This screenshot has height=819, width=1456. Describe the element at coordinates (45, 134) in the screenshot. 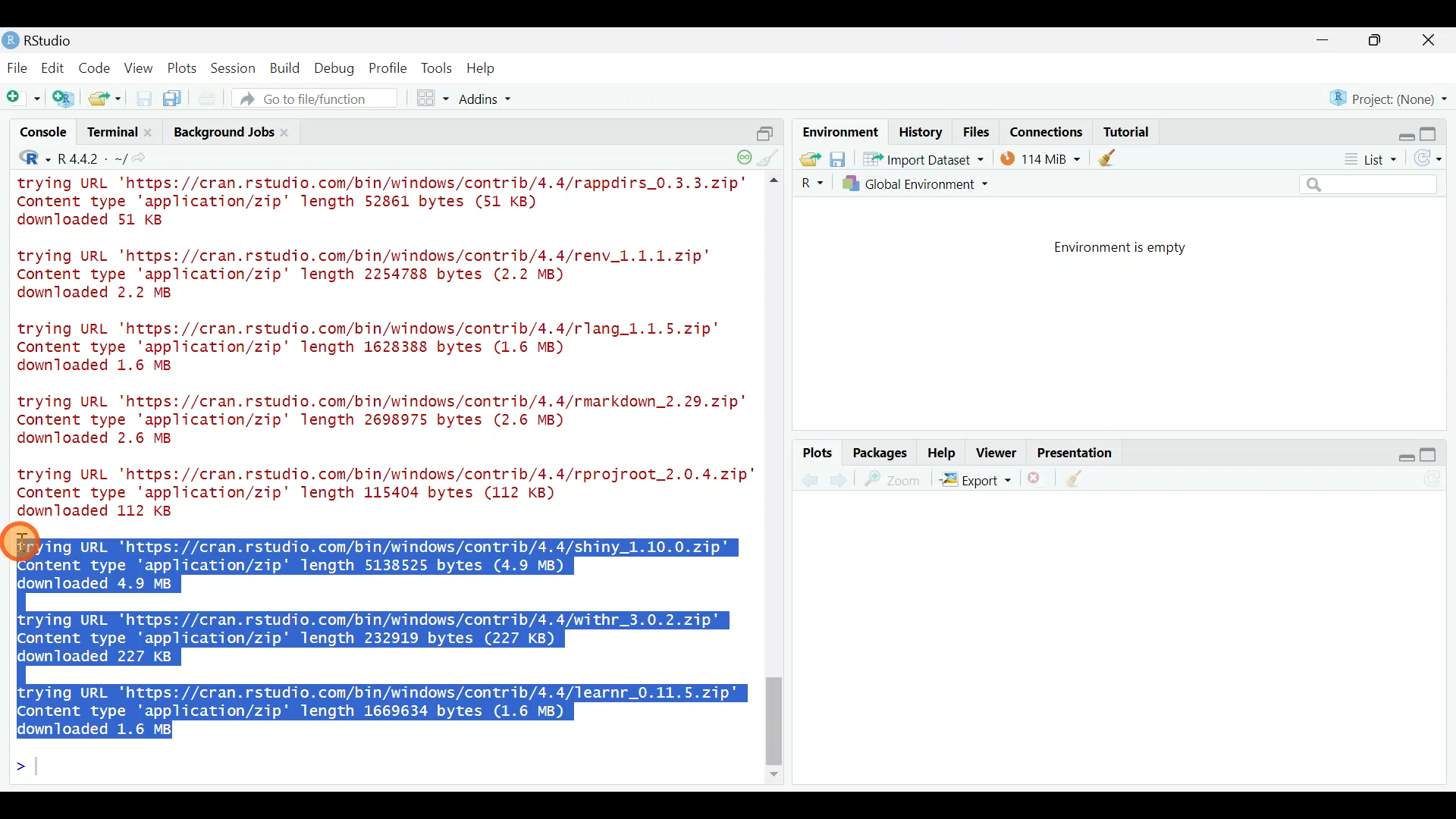

I see `Console` at that location.